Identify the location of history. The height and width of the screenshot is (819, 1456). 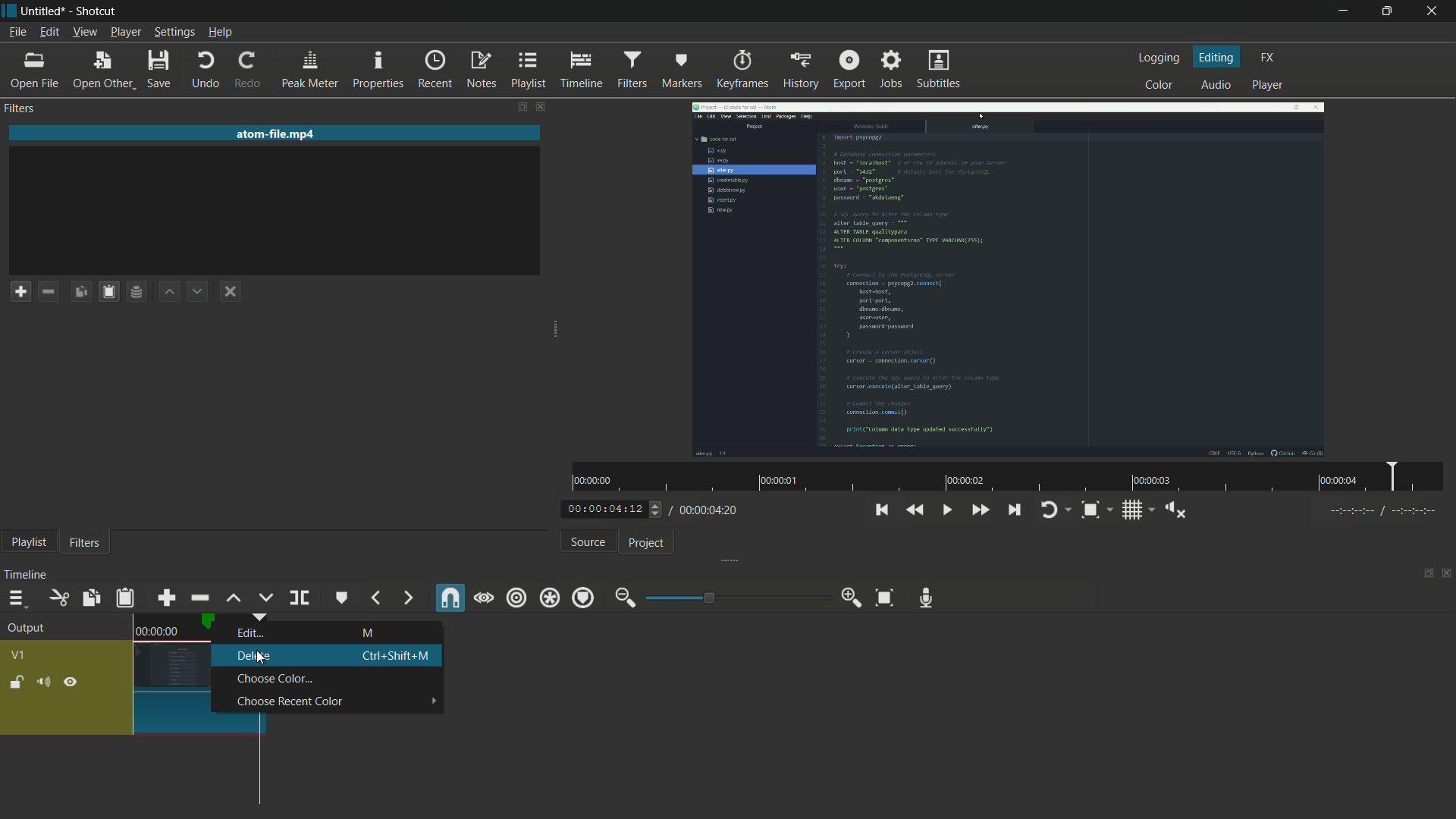
(800, 72).